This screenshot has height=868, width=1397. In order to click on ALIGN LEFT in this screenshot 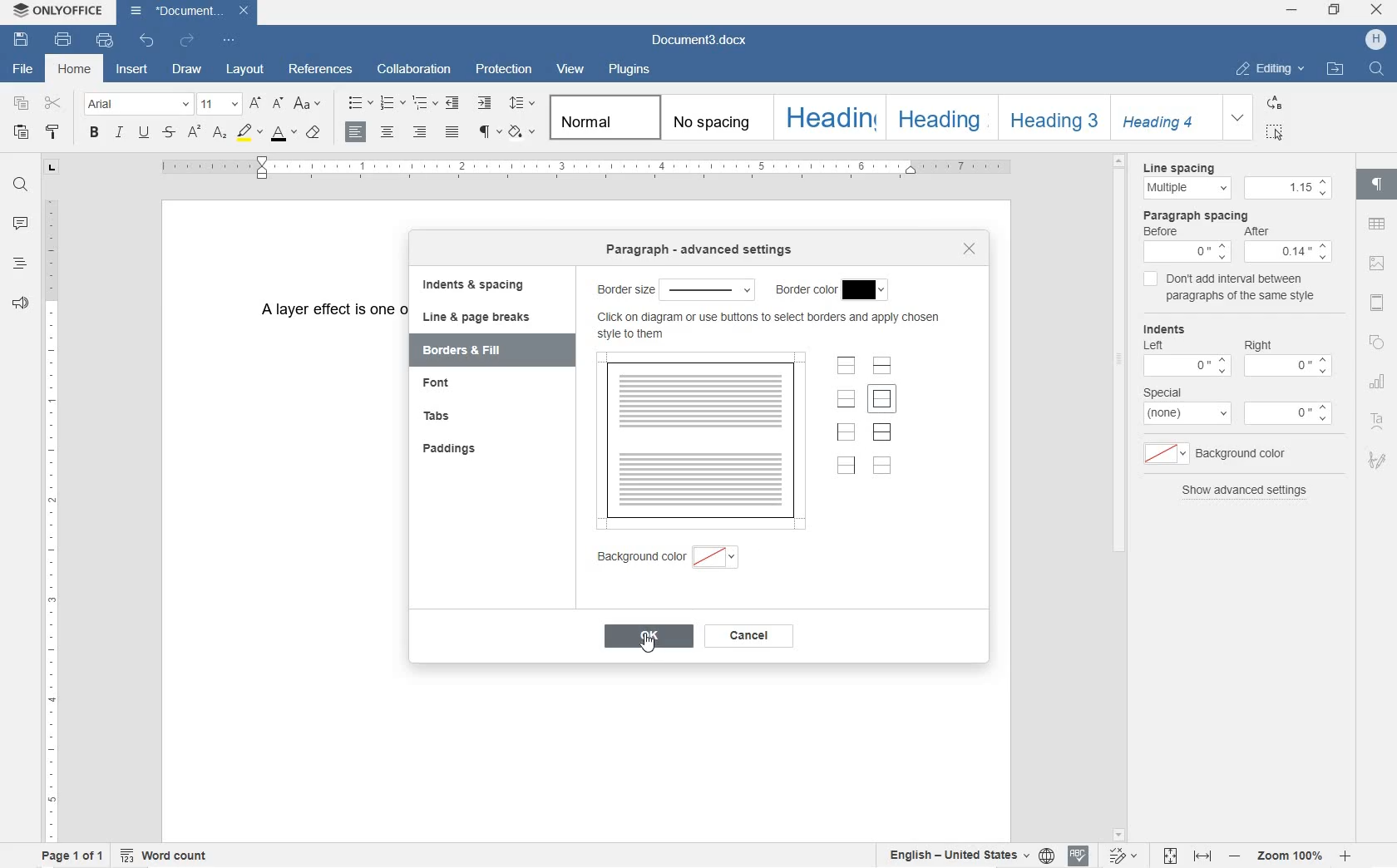, I will do `click(358, 131)`.